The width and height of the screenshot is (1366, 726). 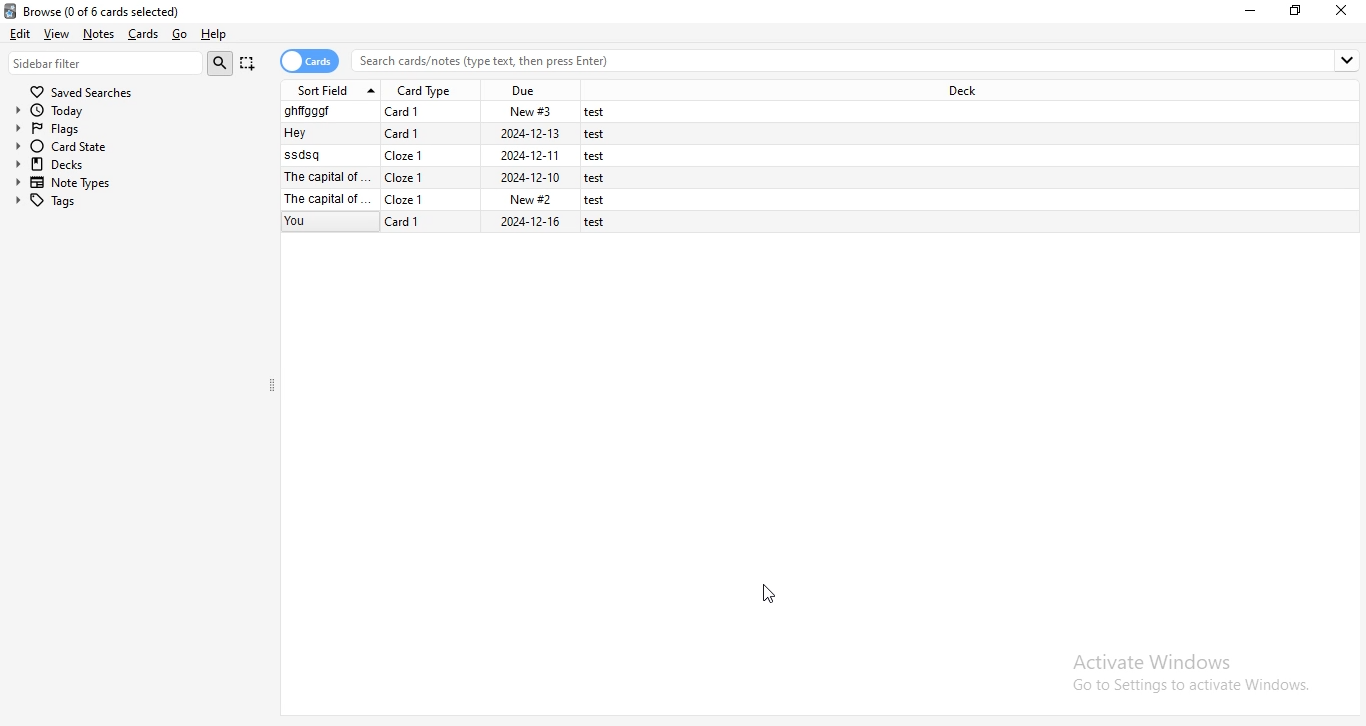 What do you see at coordinates (334, 89) in the screenshot?
I see `sort field` at bounding box center [334, 89].